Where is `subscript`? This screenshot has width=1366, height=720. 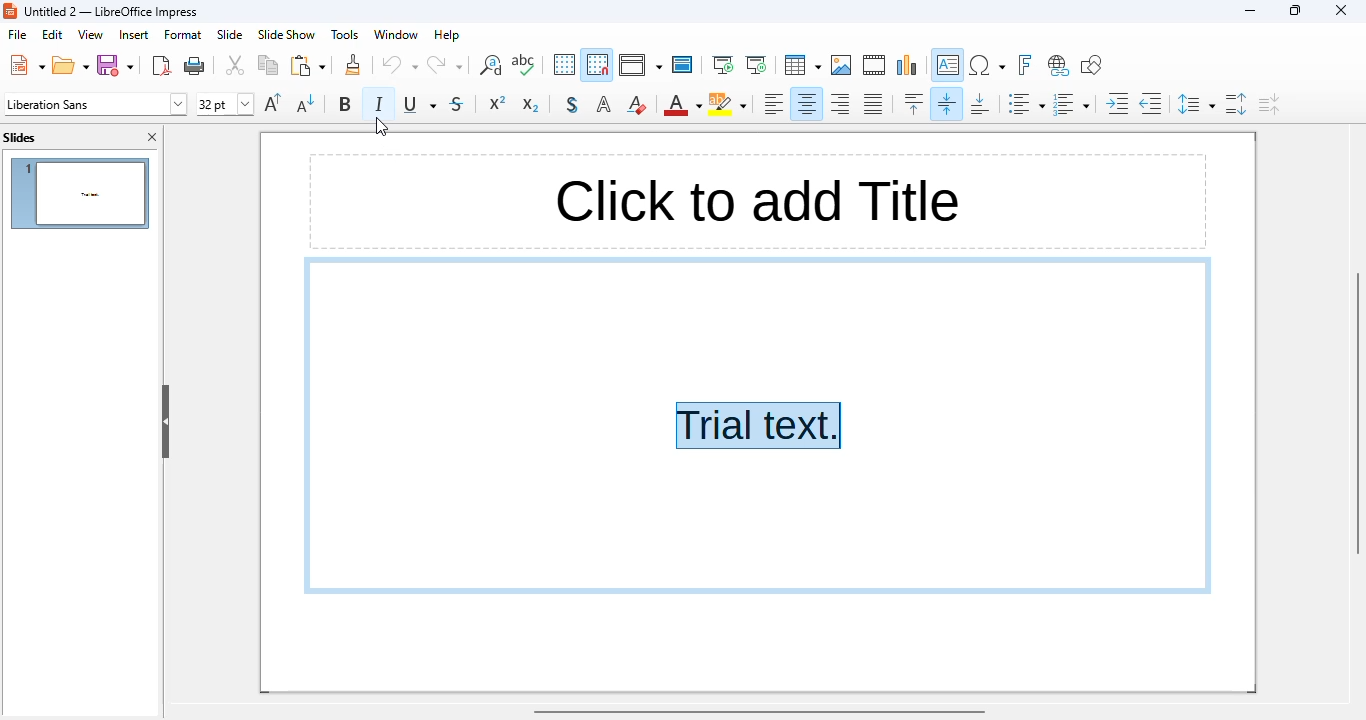 subscript is located at coordinates (530, 104).